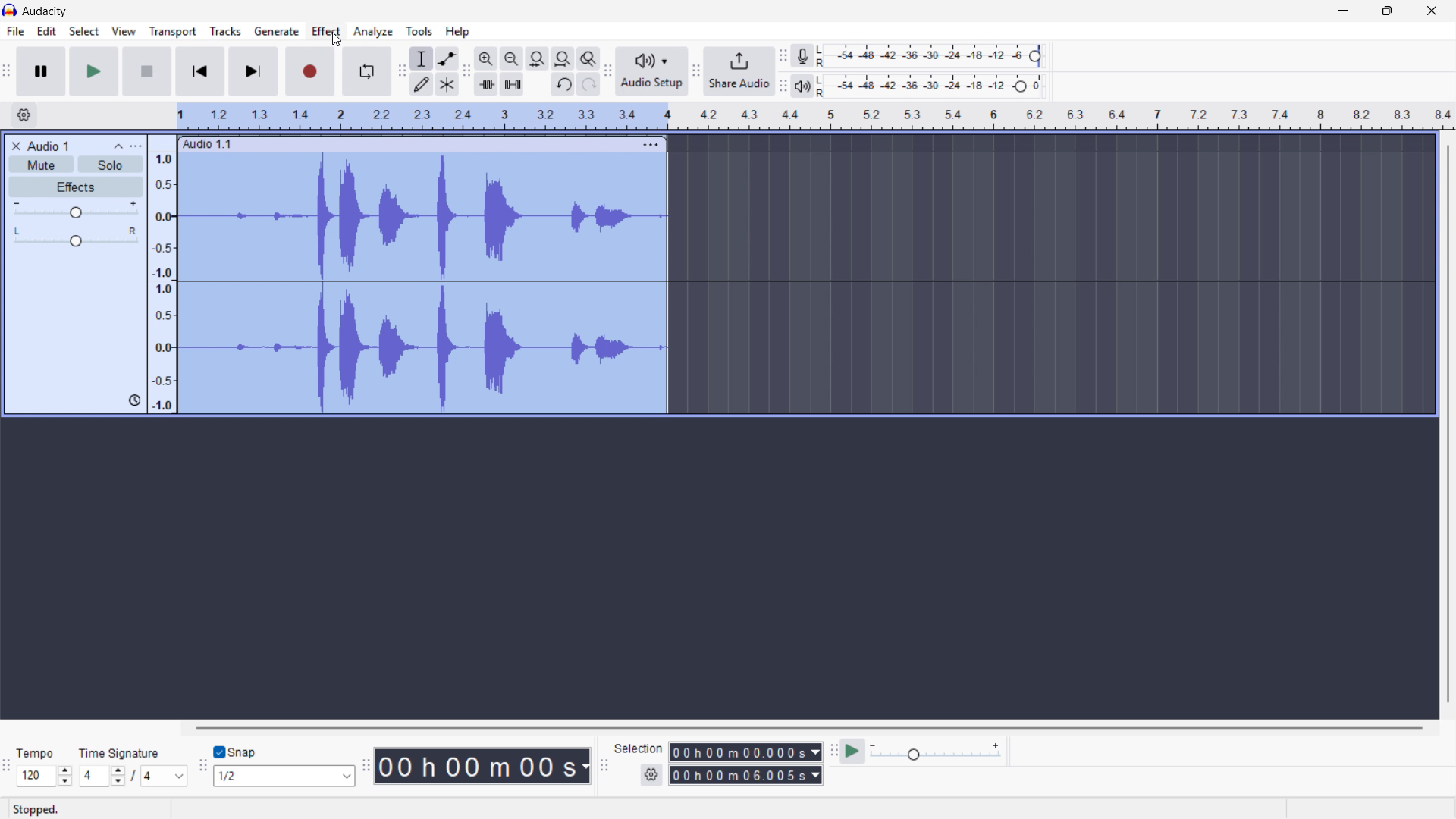  I want to click on Set snapping, so click(284, 776).